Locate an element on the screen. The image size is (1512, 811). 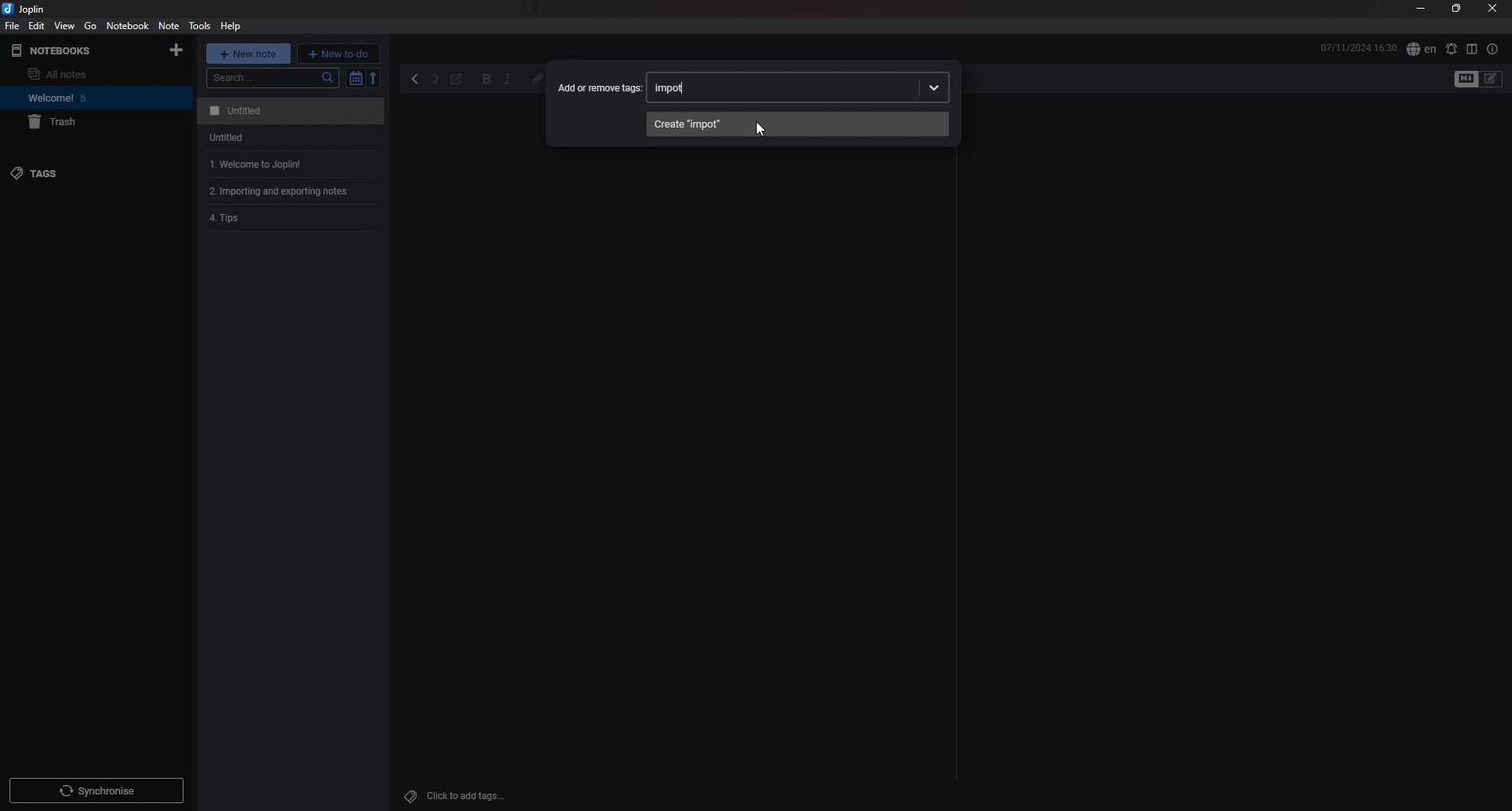
notebook is located at coordinates (128, 26).